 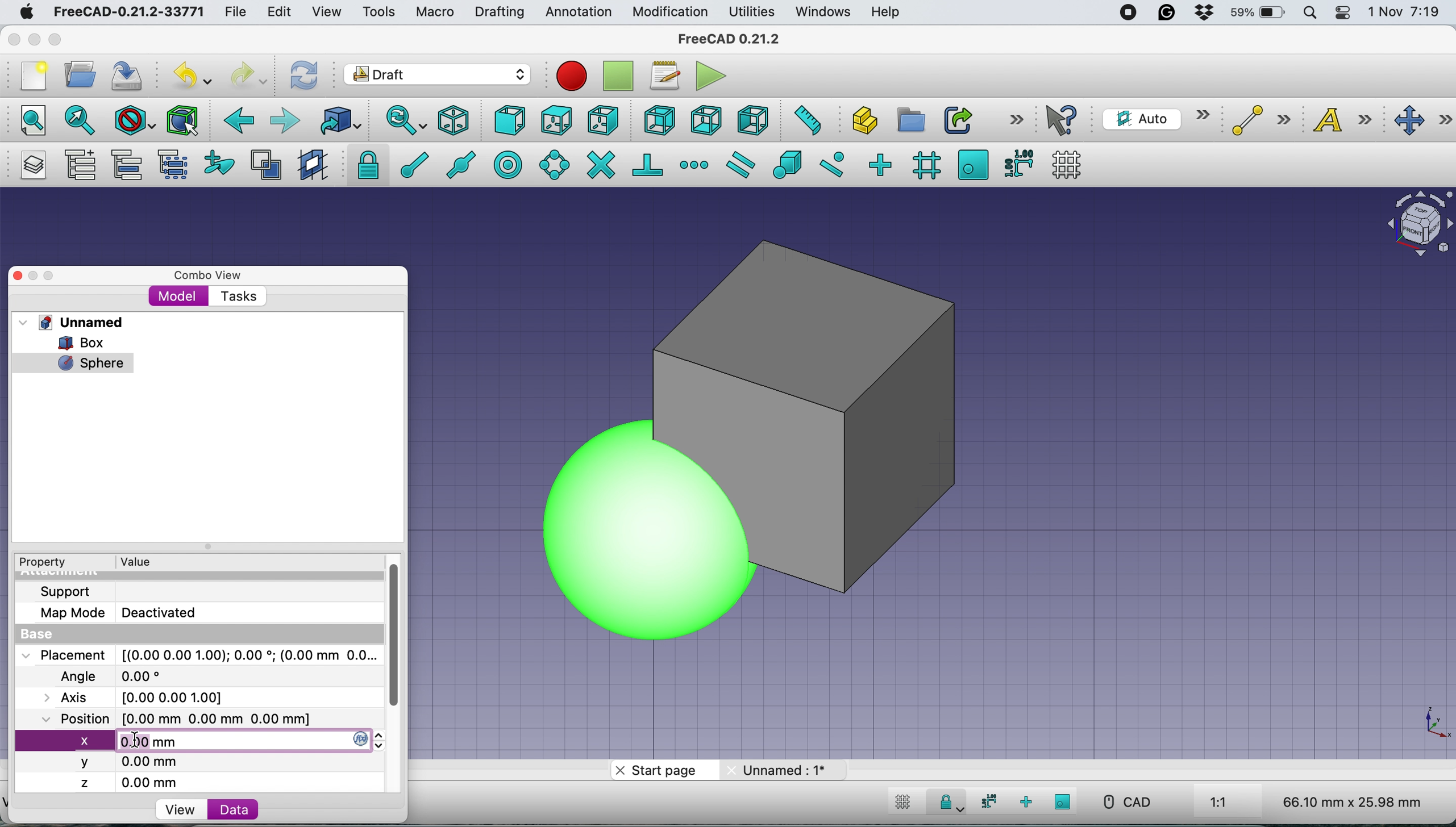 What do you see at coordinates (140, 742) in the screenshot?
I see `cursor` at bounding box center [140, 742].